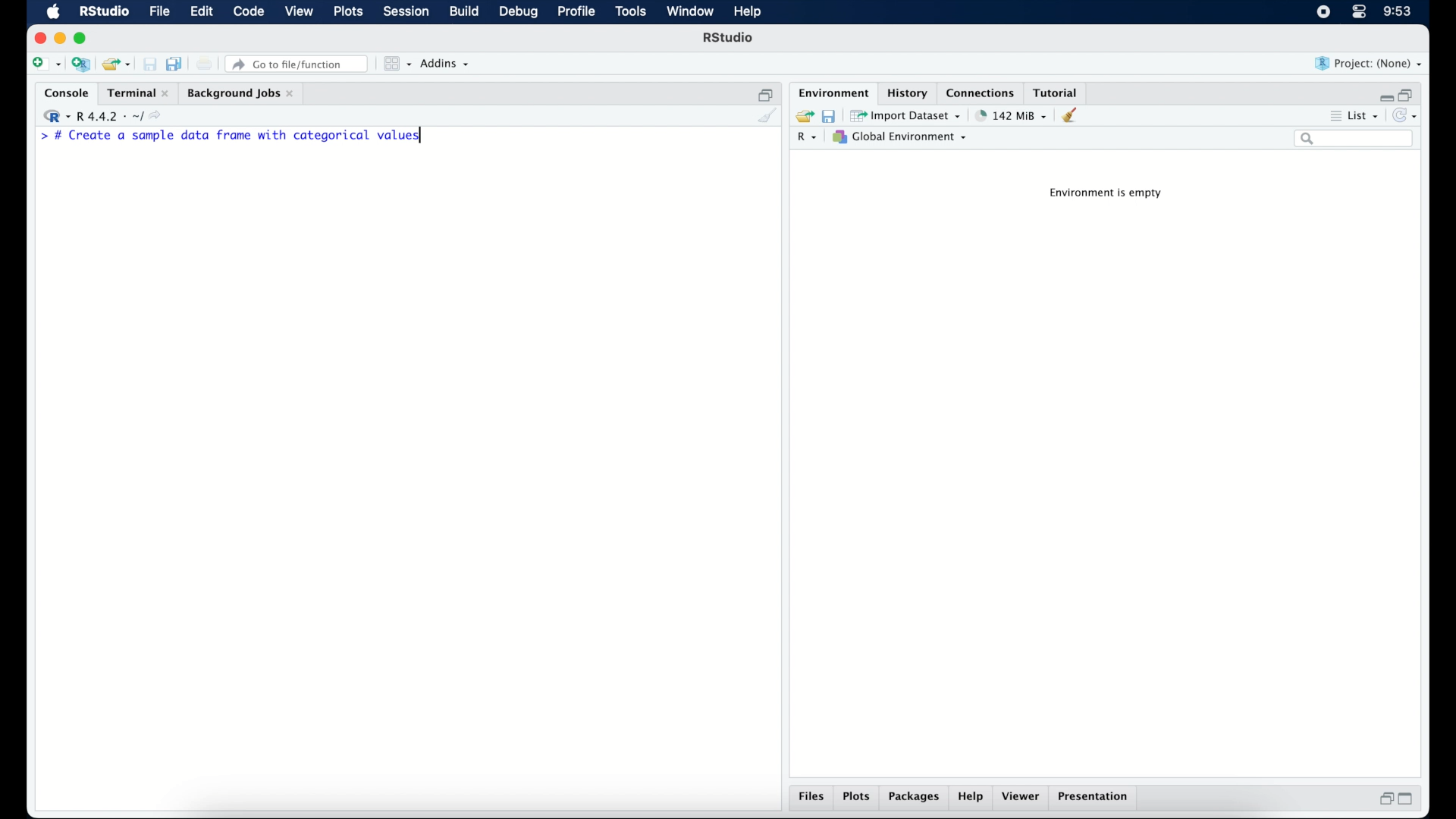 The height and width of the screenshot is (819, 1456). Describe the element at coordinates (517, 13) in the screenshot. I see `debug` at that location.